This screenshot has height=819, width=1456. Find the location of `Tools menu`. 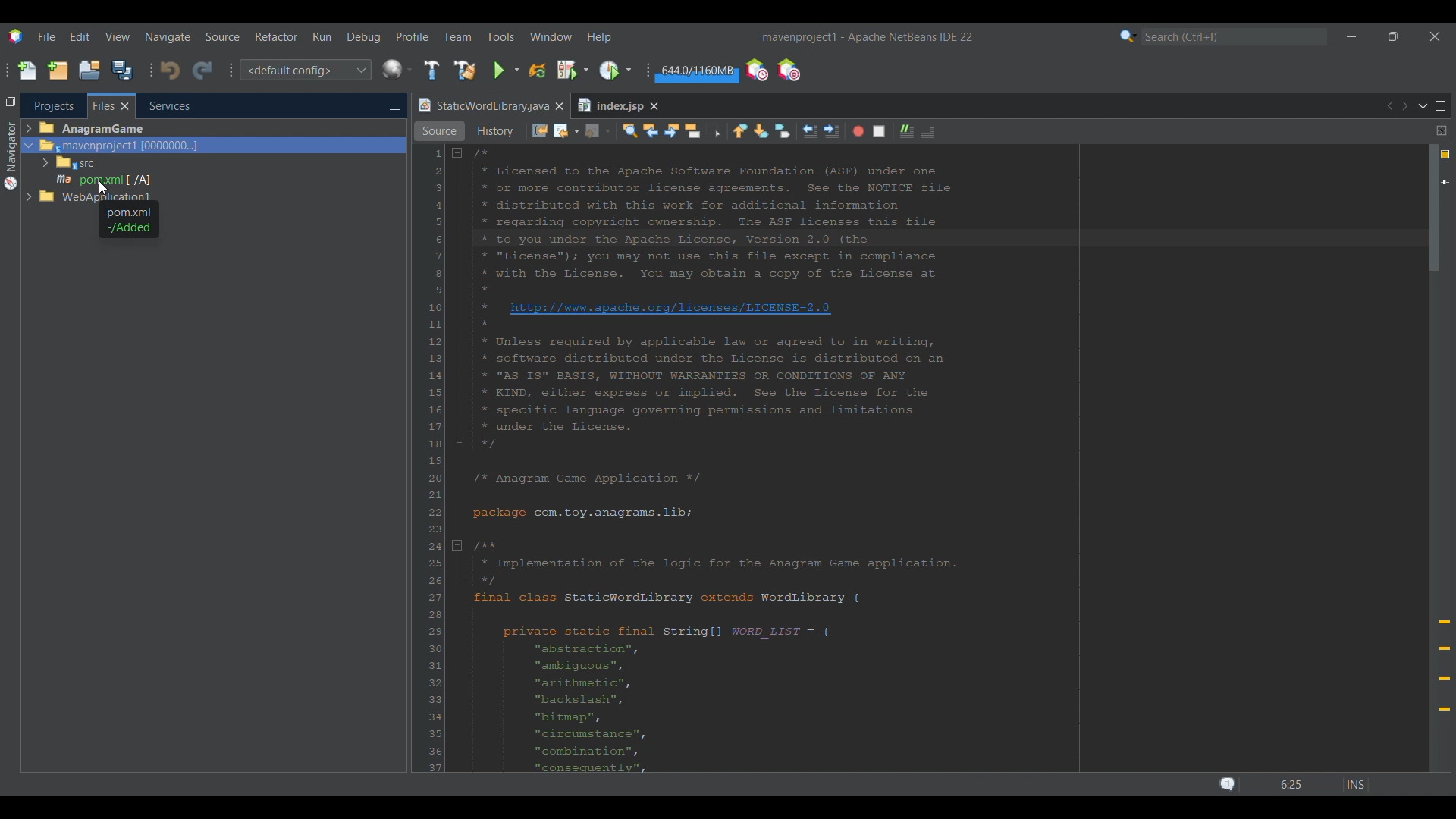

Tools menu is located at coordinates (500, 36).